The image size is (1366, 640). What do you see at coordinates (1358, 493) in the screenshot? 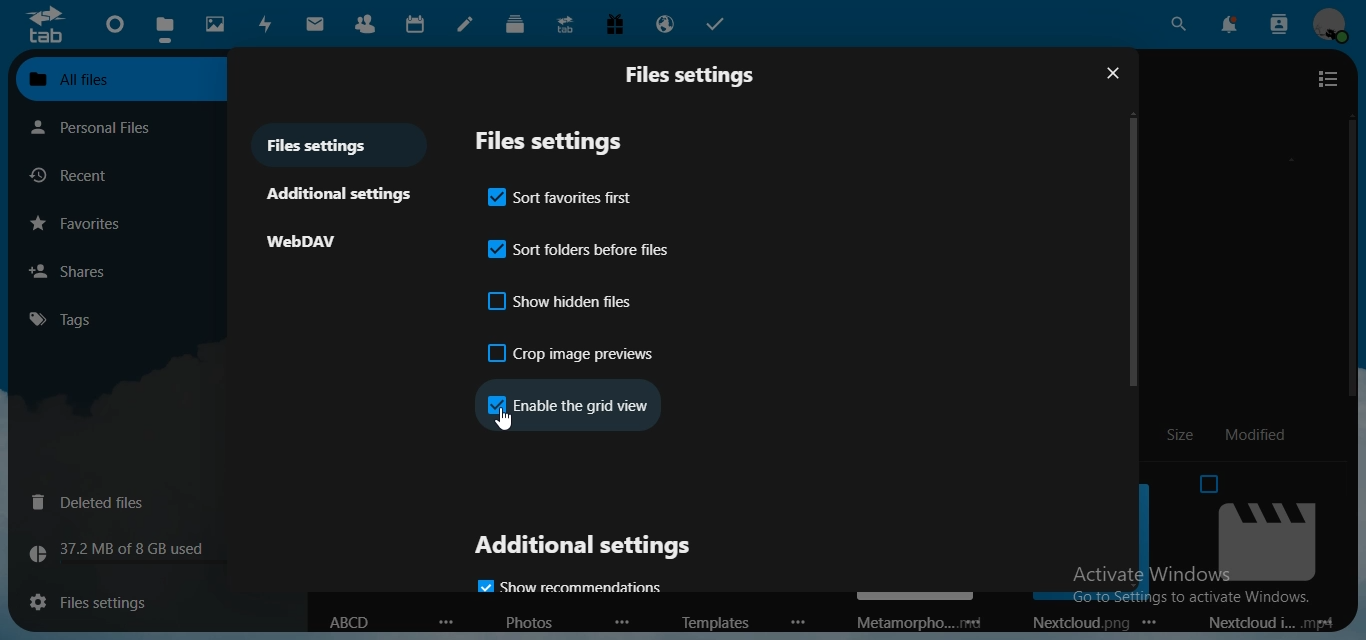
I see `scroll bar` at bounding box center [1358, 493].